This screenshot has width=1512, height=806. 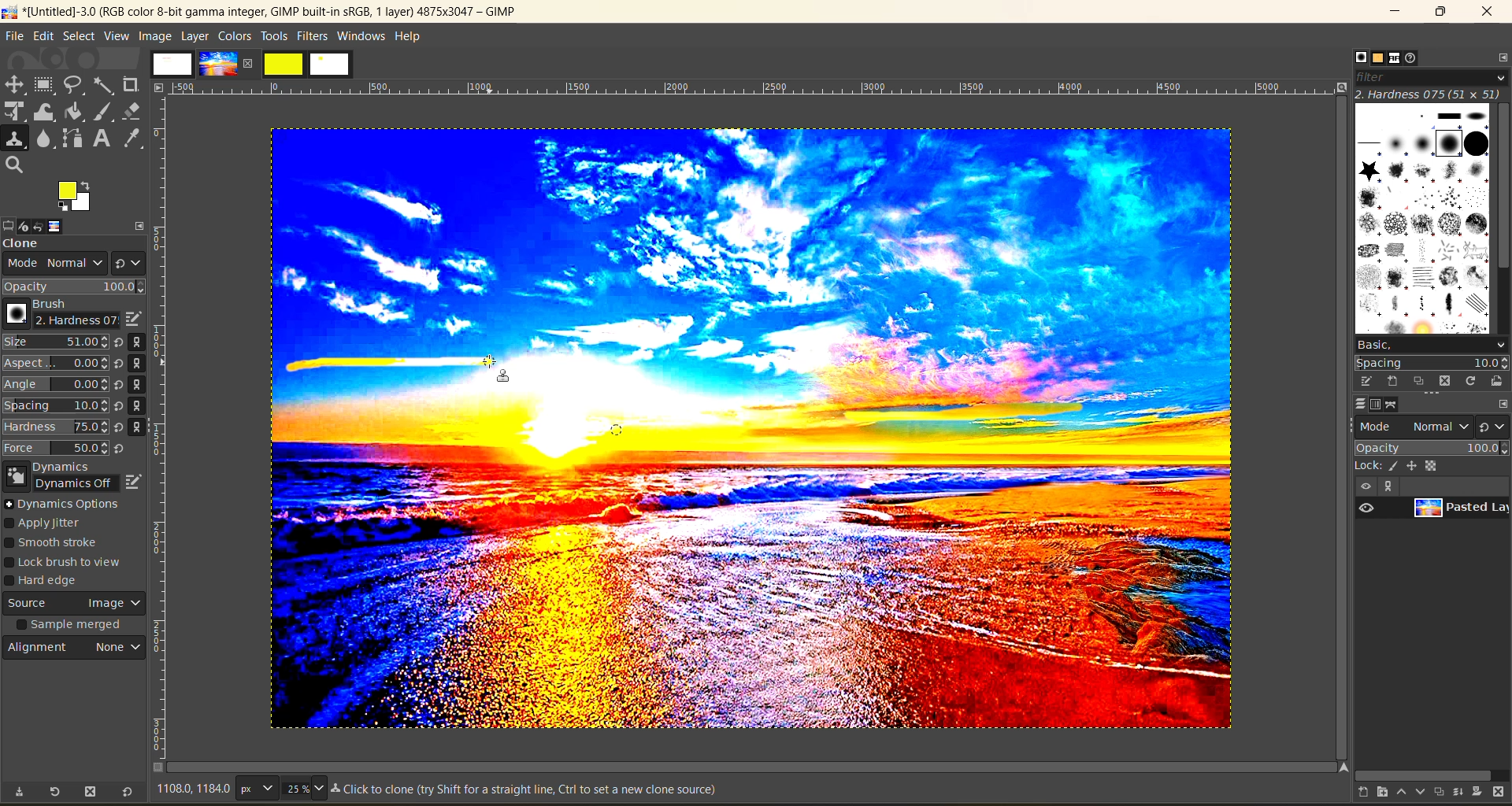 What do you see at coordinates (1495, 382) in the screenshot?
I see `open brush as image` at bounding box center [1495, 382].